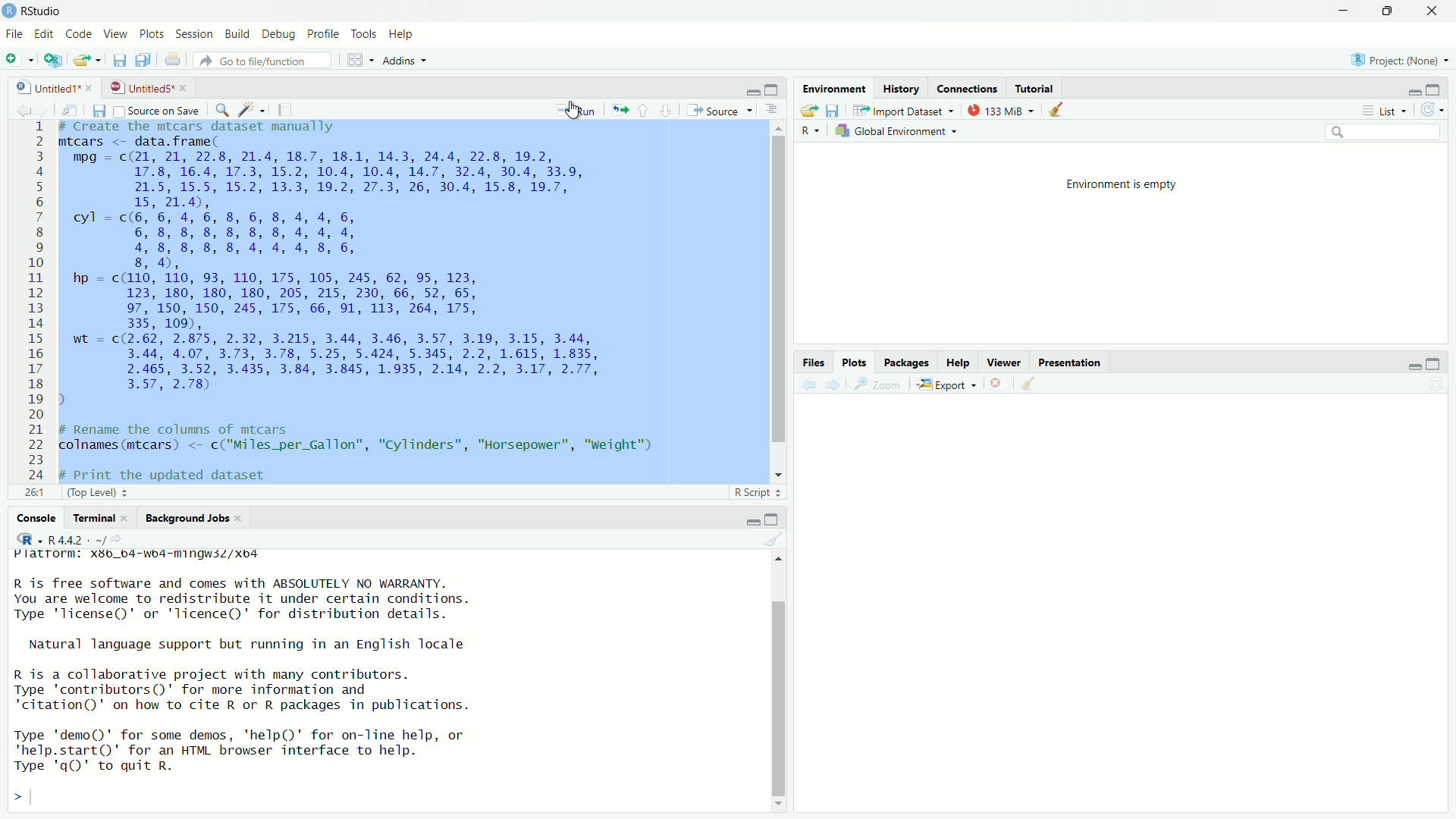 The image size is (1456, 819). I want to click on History, so click(904, 88).